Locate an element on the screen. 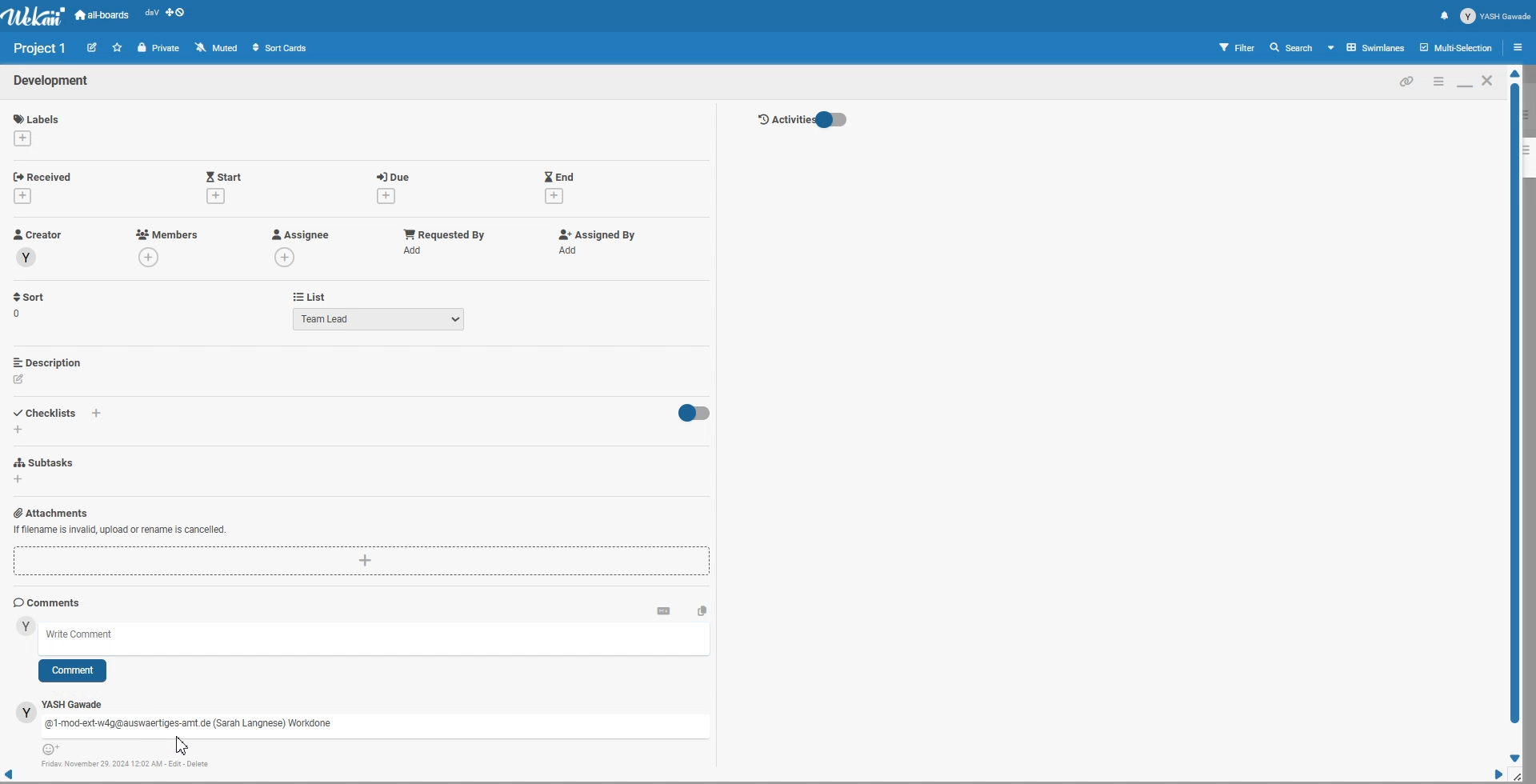 Image resolution: width=1536 pixels, height=784 pixels. Minimize is located at coordinates (1438, 81).